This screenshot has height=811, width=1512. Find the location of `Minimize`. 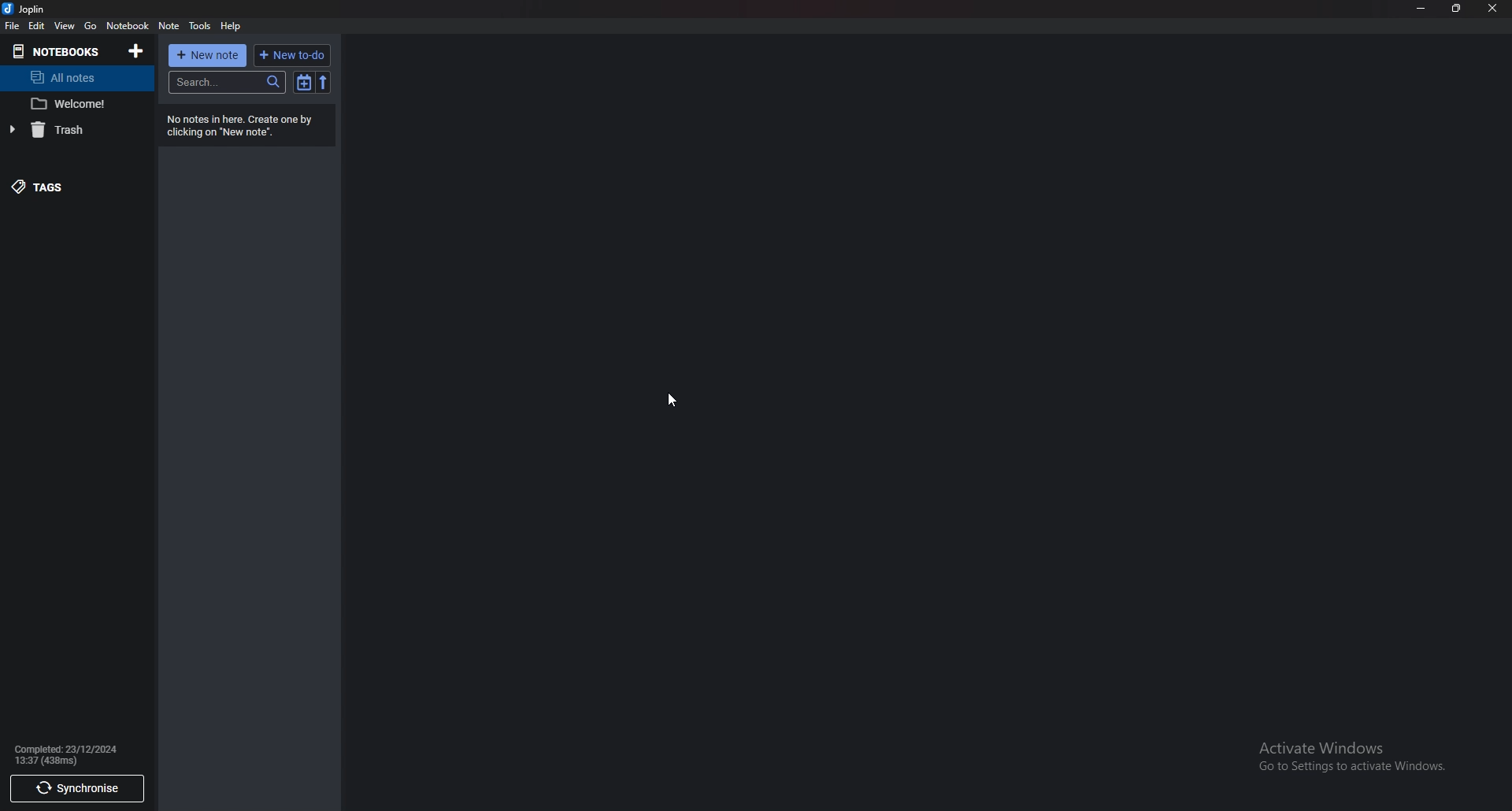

Minimize is located at coordinates (1420, 9).